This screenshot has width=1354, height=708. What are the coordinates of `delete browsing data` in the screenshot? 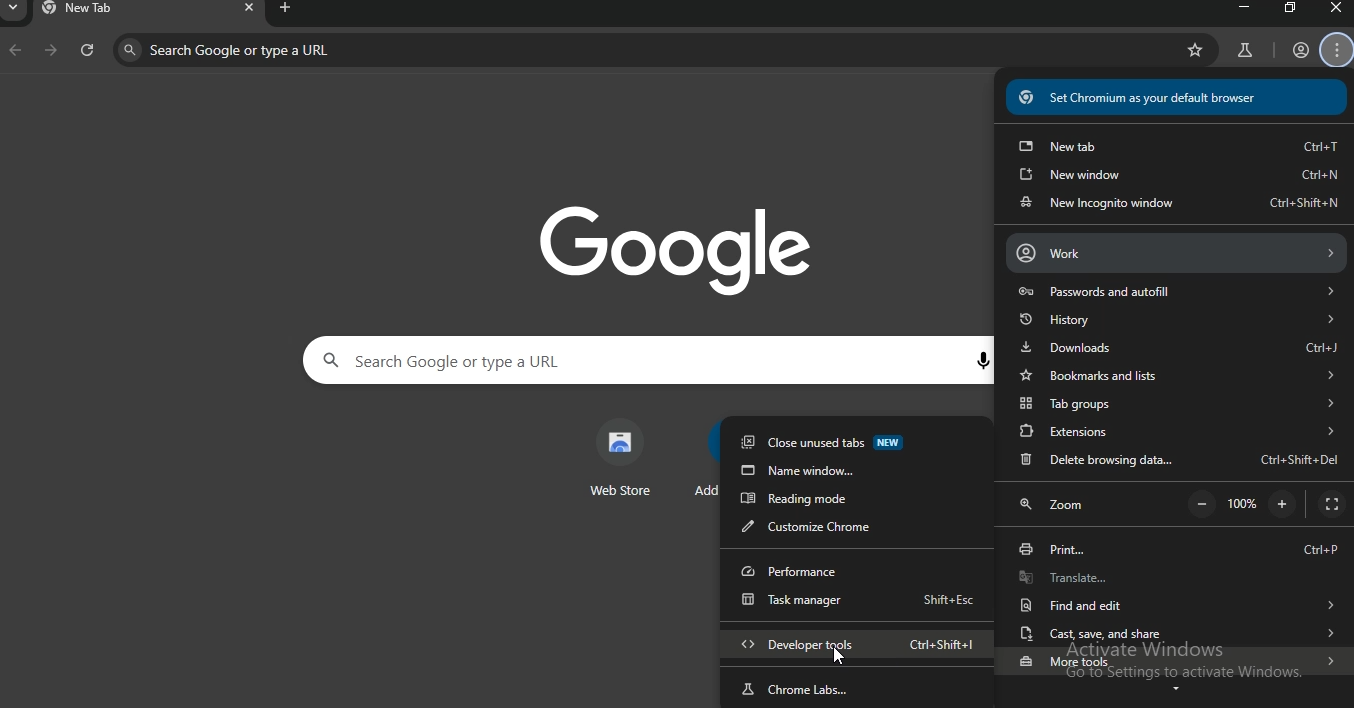 It's located at (1177, 458).